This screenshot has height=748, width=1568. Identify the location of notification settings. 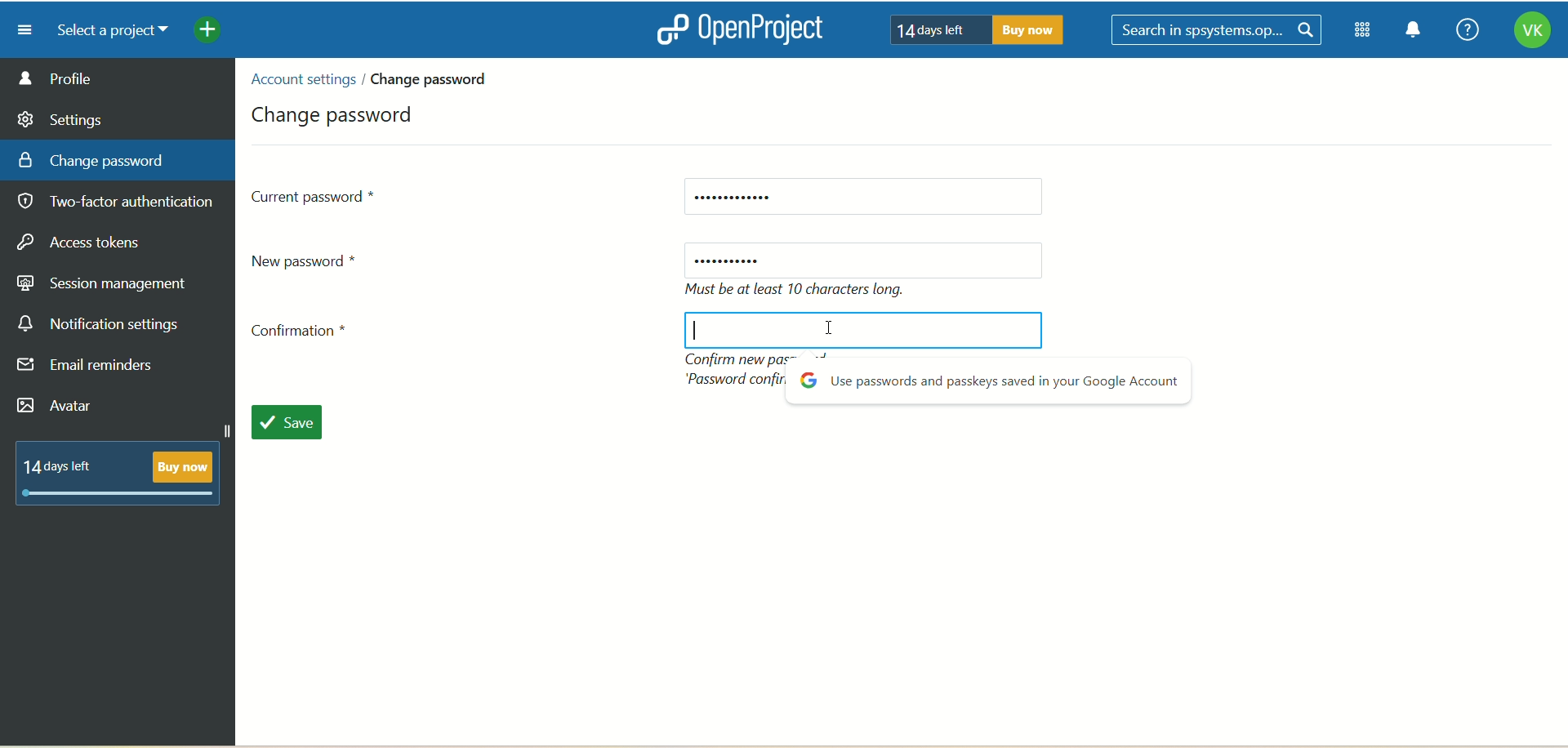
(99, 324).